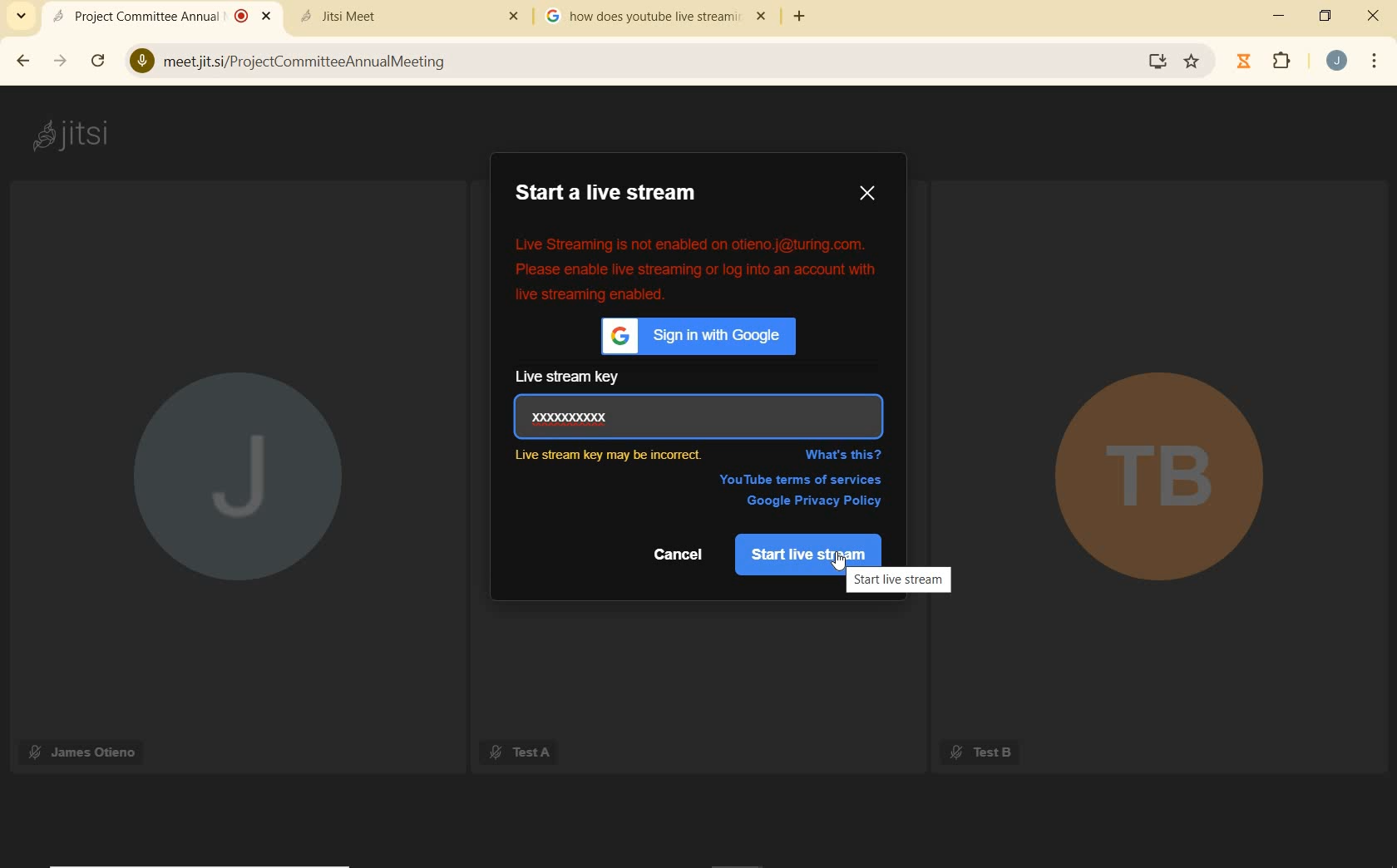 This screenshot has height=868, width=1397. I want to click on restore down, so click(1327, 17).